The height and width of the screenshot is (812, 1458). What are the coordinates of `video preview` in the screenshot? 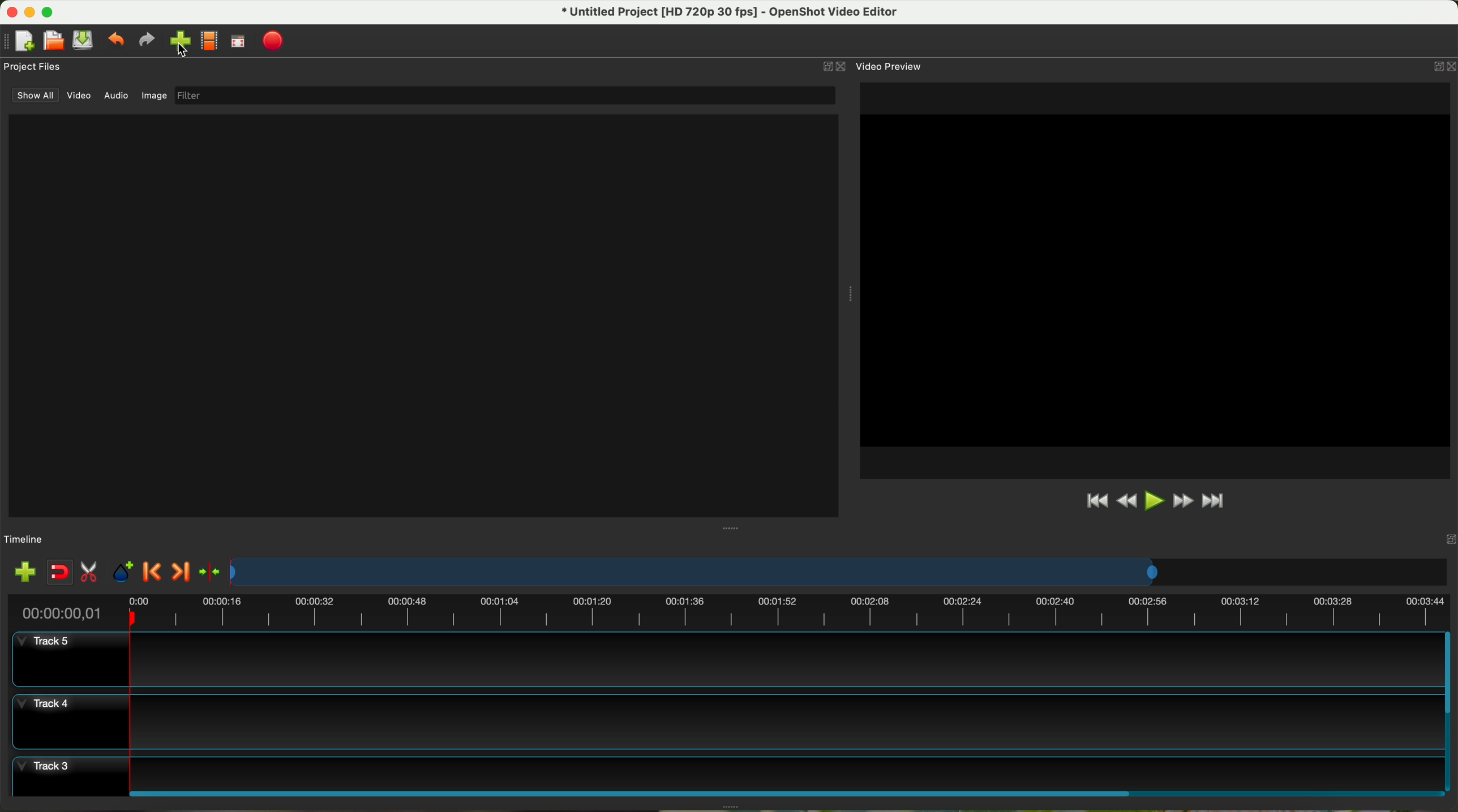 It's located at (891, 66).